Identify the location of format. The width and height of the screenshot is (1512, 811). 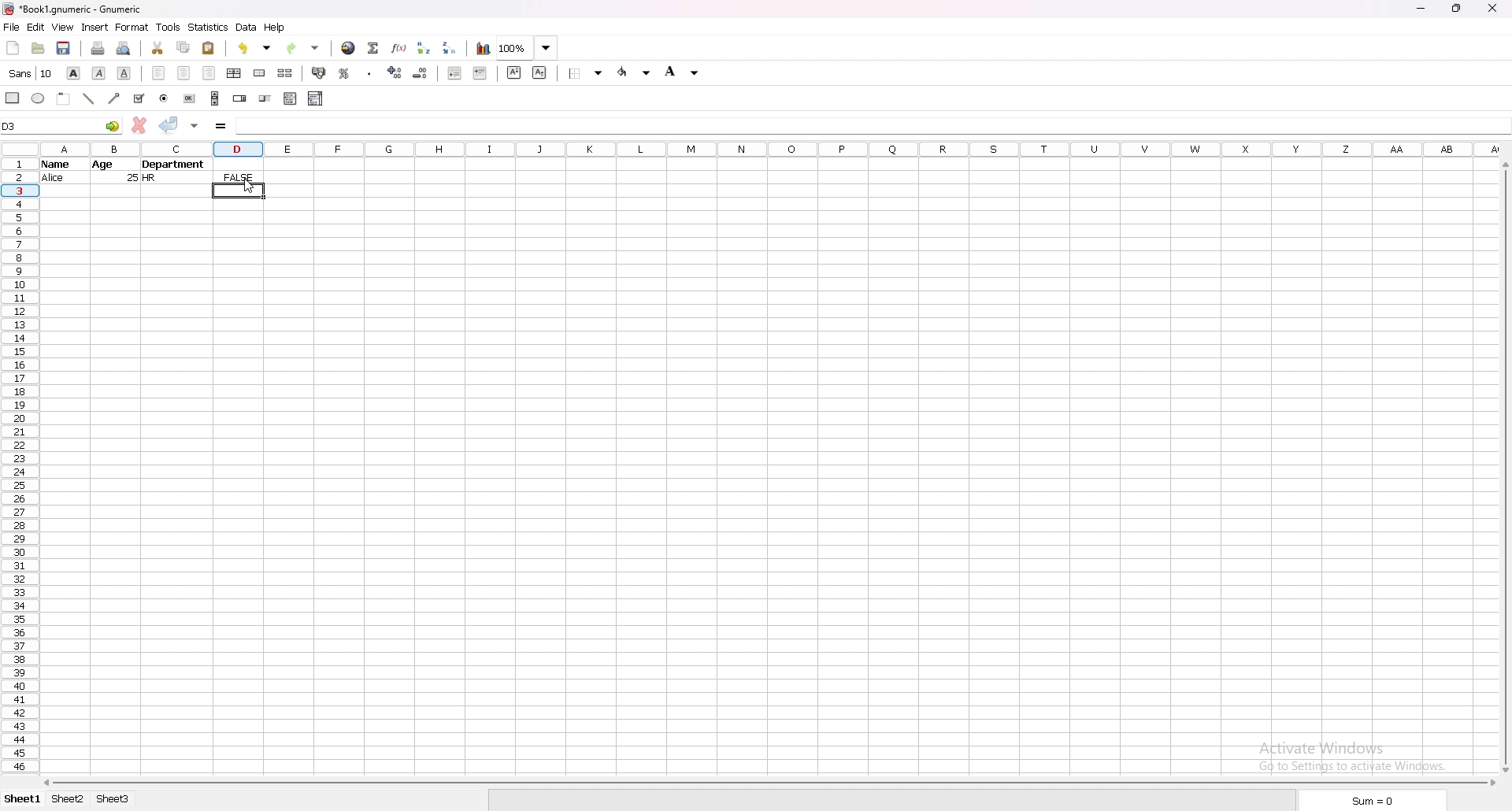
(132, 27).